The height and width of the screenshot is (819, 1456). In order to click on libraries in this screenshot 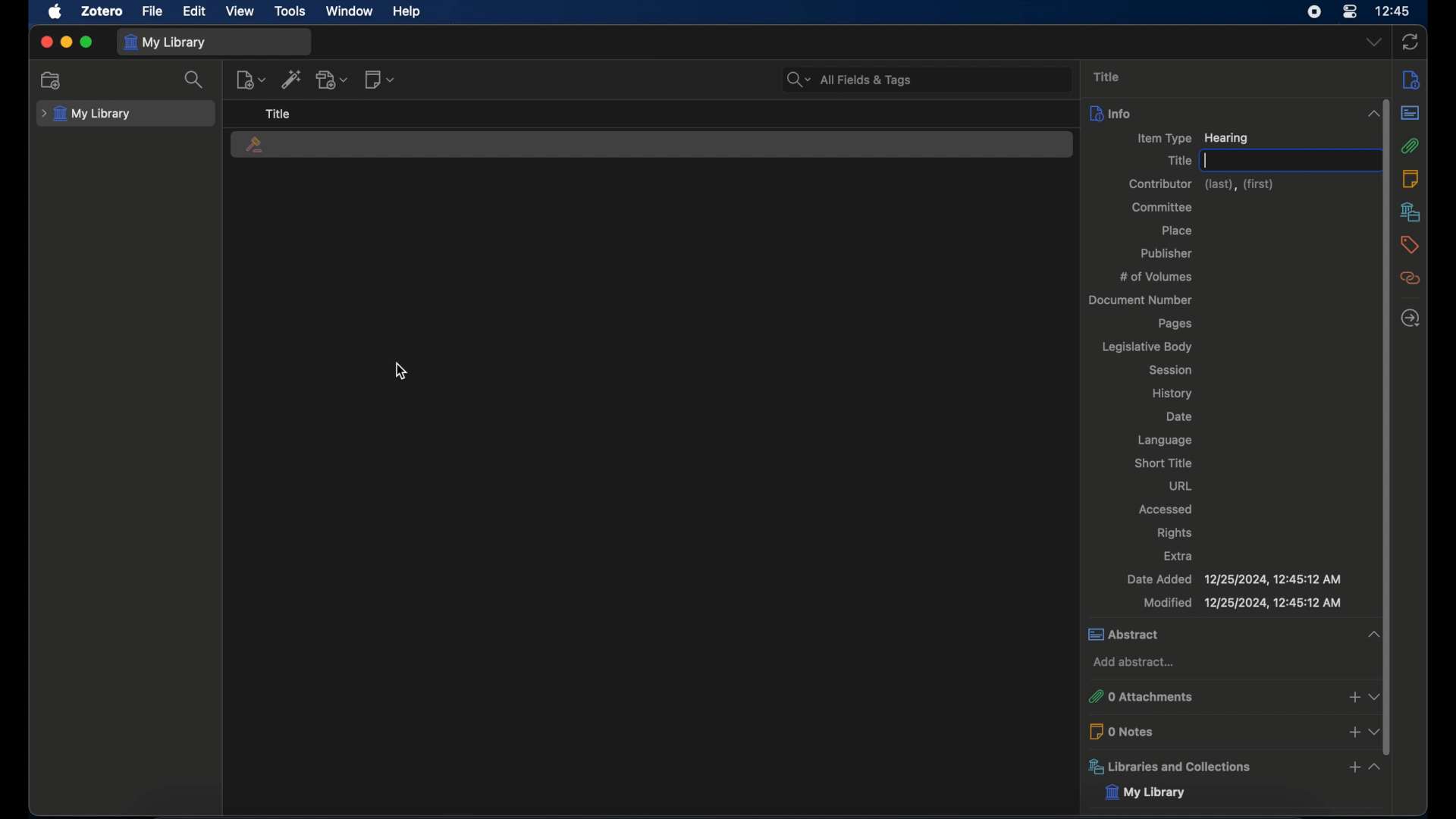, I will do `click(1410, 212)`.